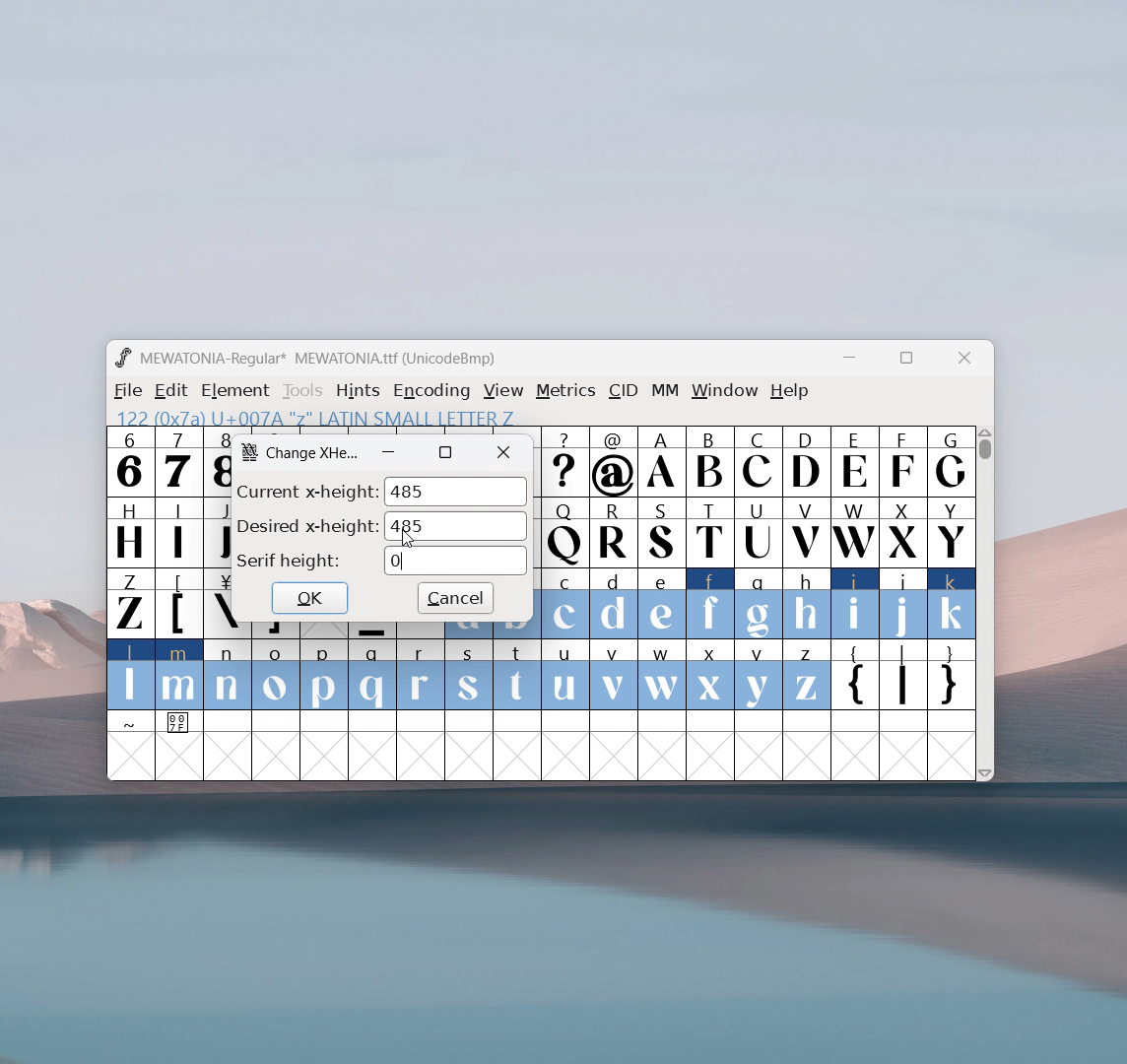 The width and height of the screenshot is (1127, 1064). Describe the element at coordinates (409, 540) in the screenshot. I see `Cursor` at that location.